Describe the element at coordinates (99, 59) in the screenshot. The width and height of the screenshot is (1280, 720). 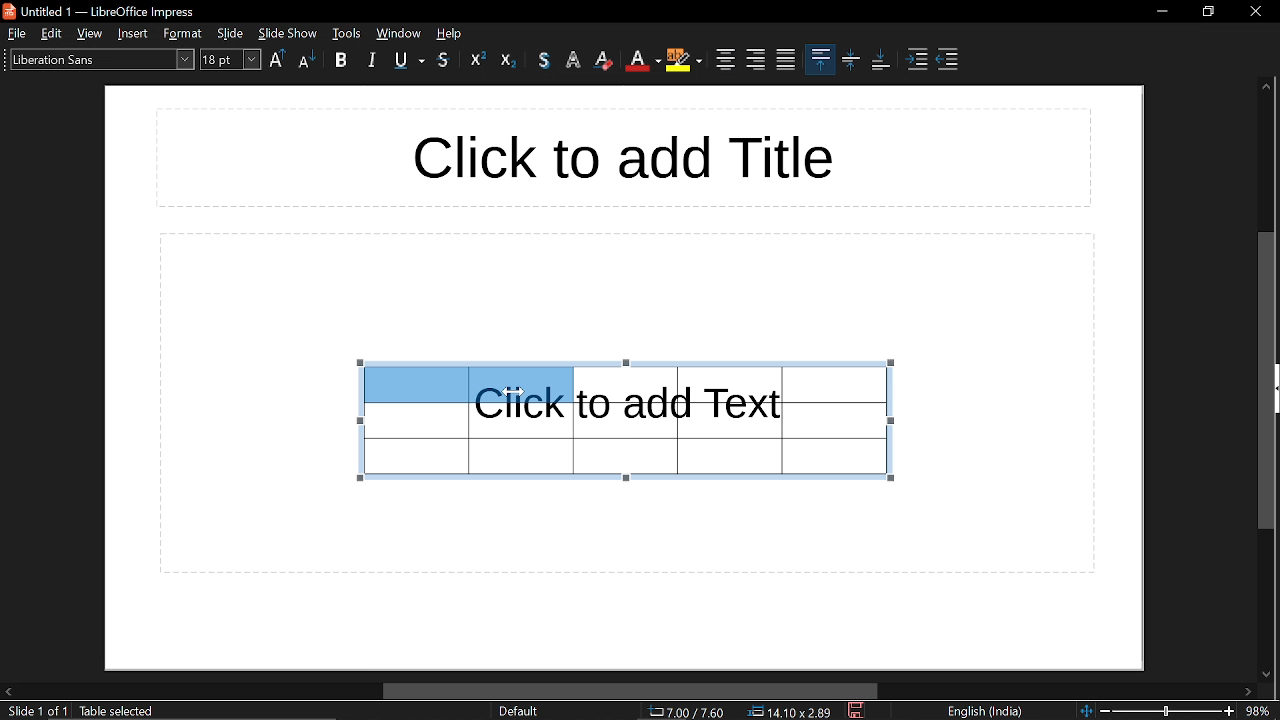
I see `text style` at that location.